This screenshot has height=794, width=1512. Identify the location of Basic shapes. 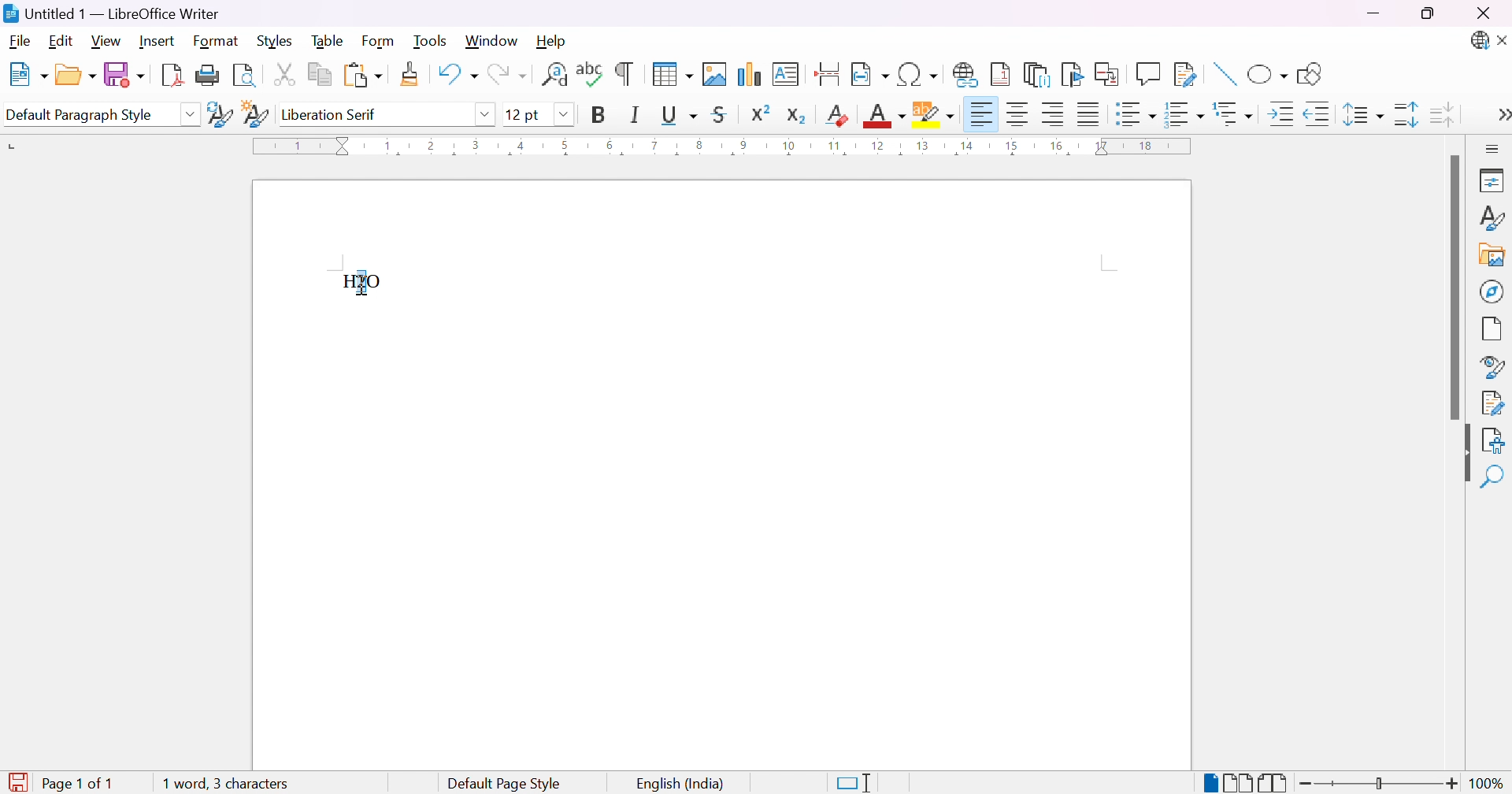
(1267, 77).